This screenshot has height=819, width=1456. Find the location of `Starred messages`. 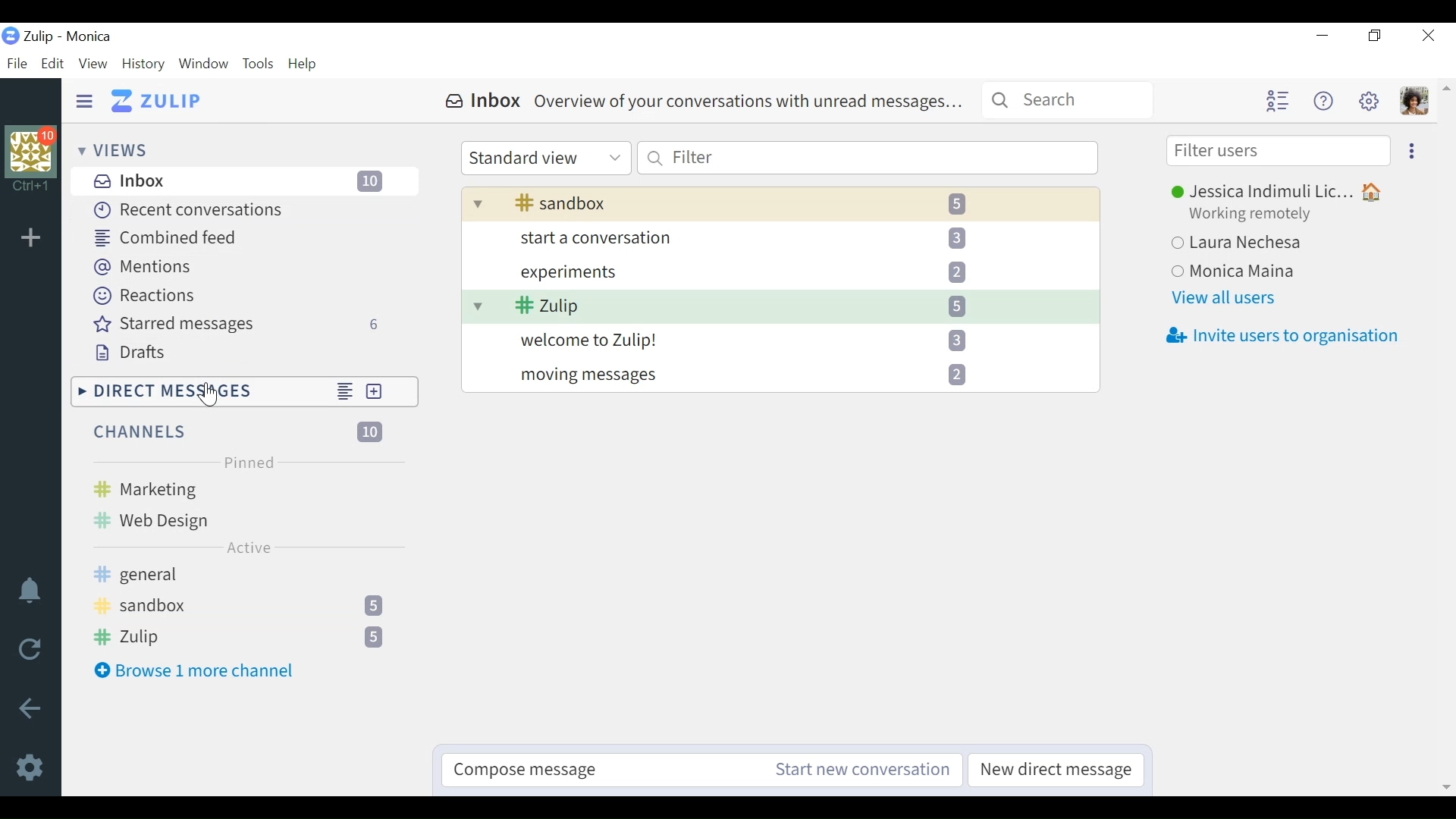

Starred messages is located at coordinates (248, 326).